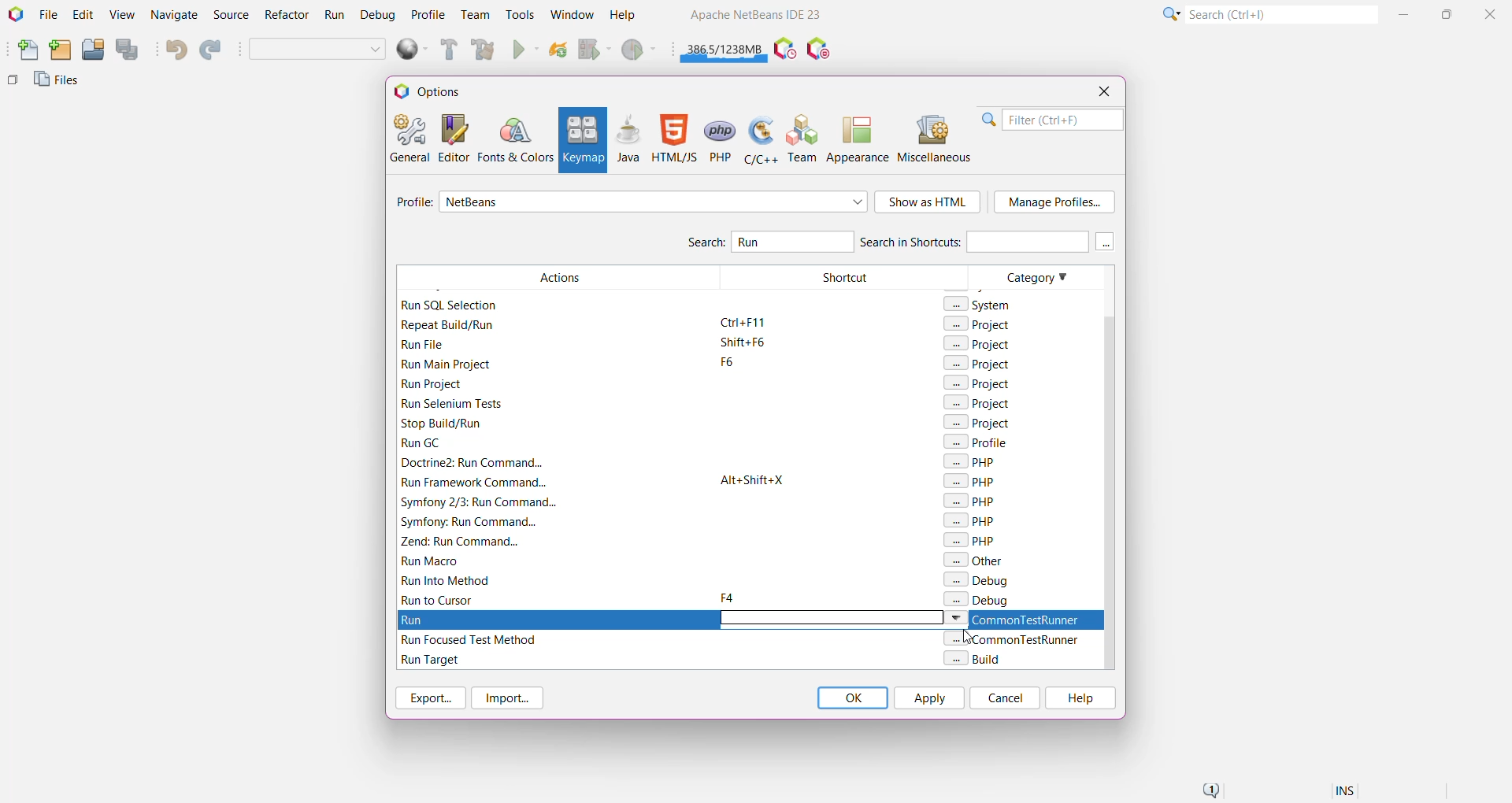 This screenshot has height=803, width=1512. I want to click on Manage Profile, so click(1054, 202).